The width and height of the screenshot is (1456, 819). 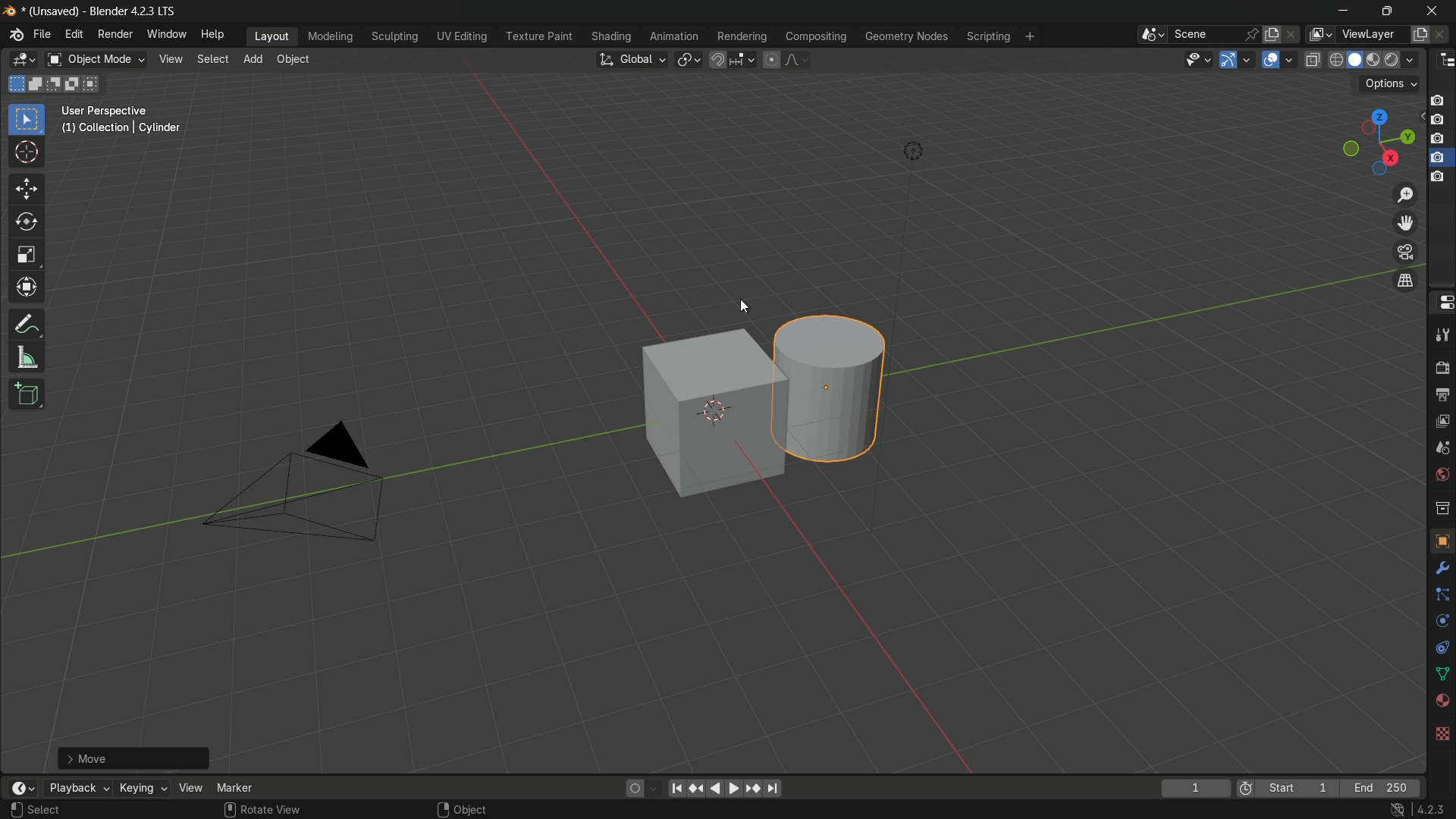 What do you see at coordinates (734, 788) in the screenshot?
I see `foward` at bounding box center [734, 788].